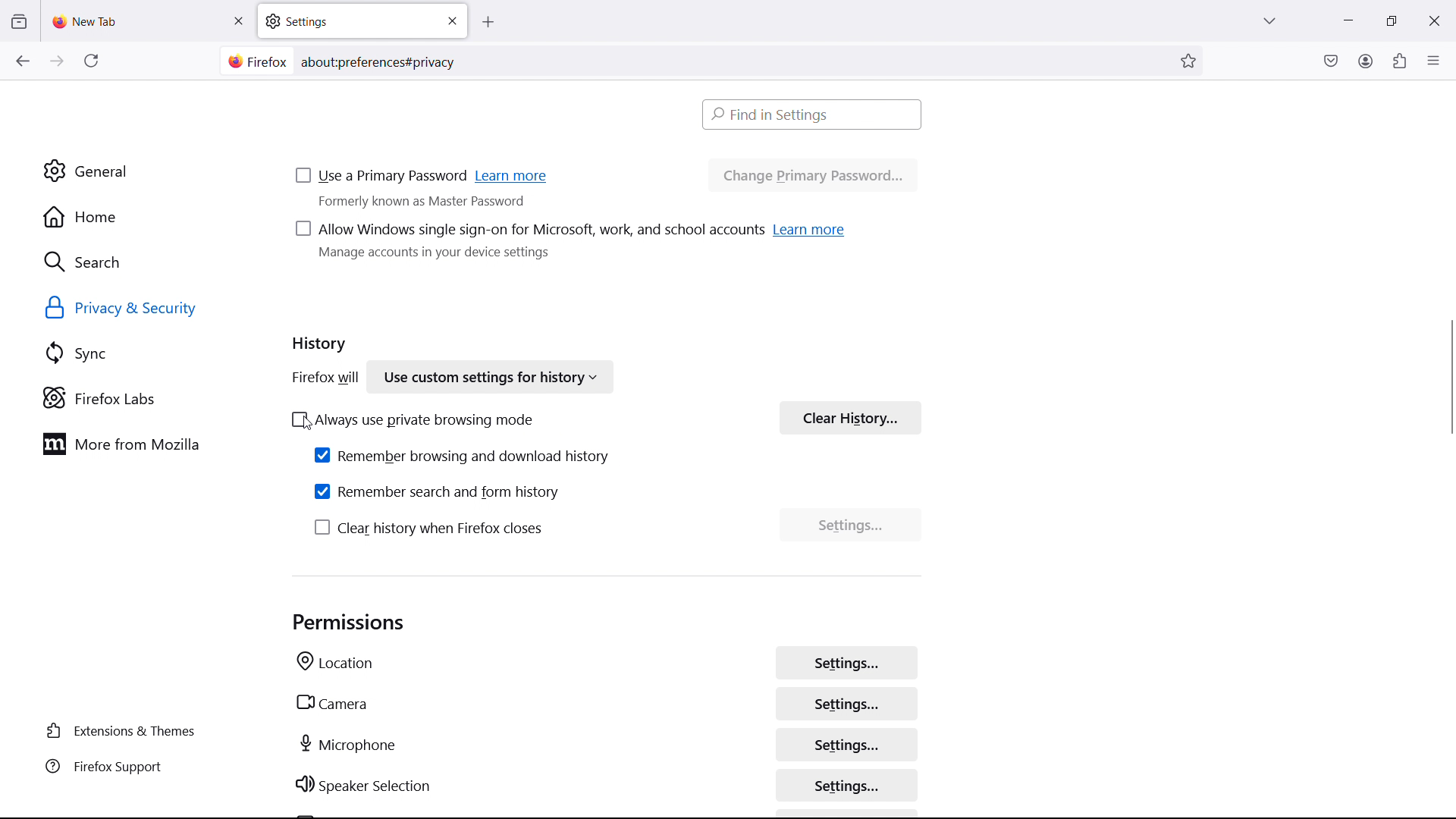 The width and height of the screenshot is (1456, 819). I want to click on close tab, so click(238, 21).